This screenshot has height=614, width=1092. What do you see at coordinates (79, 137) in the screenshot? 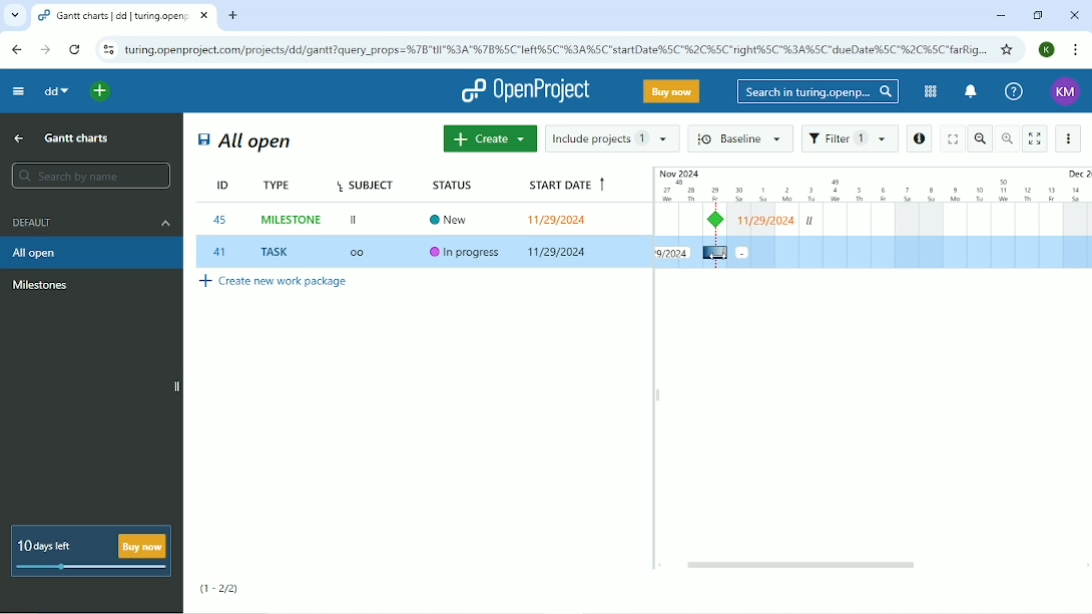
I see `Gantt charts` at bounding box center [79, 137].